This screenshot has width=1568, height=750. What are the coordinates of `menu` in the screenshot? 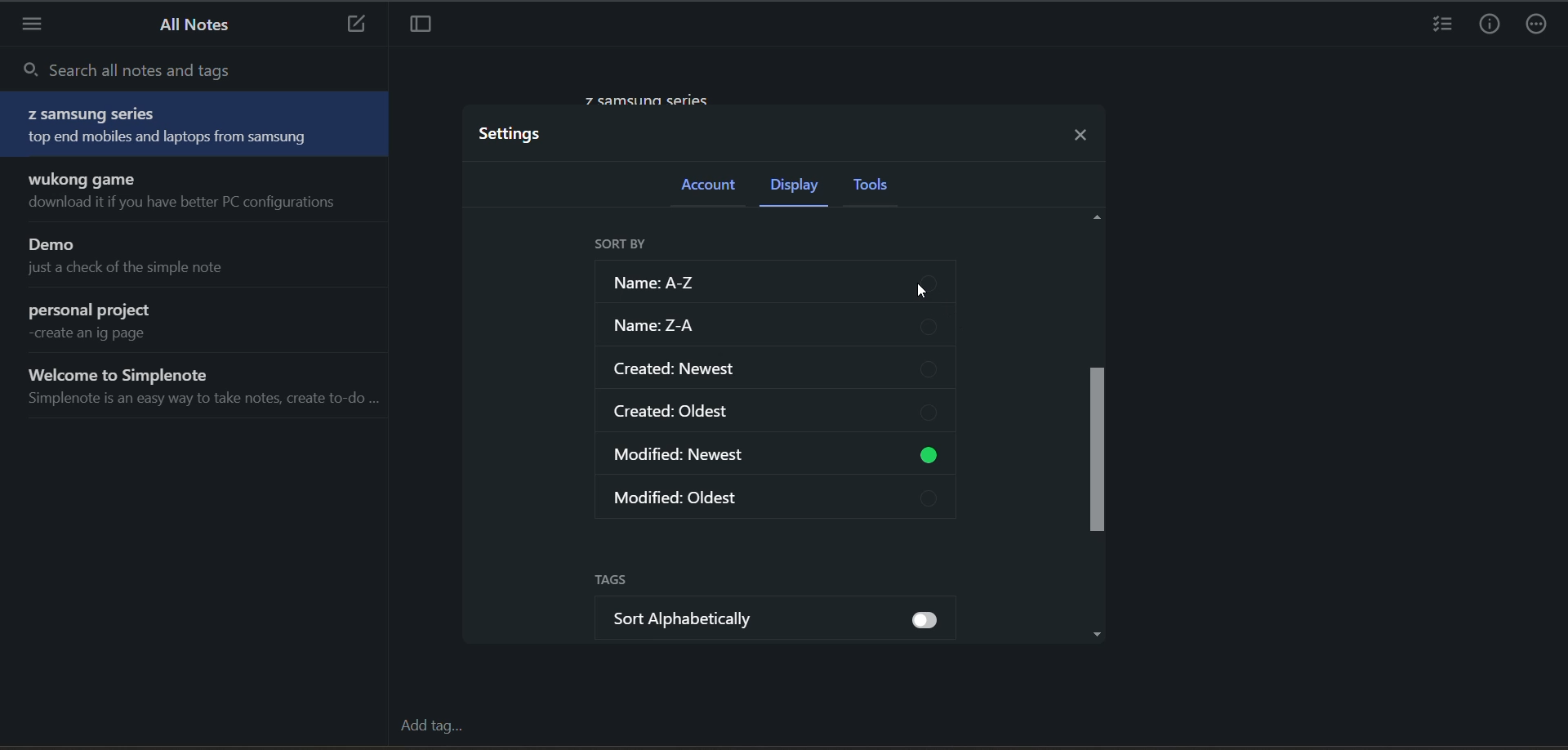 It's located at (34, 28).